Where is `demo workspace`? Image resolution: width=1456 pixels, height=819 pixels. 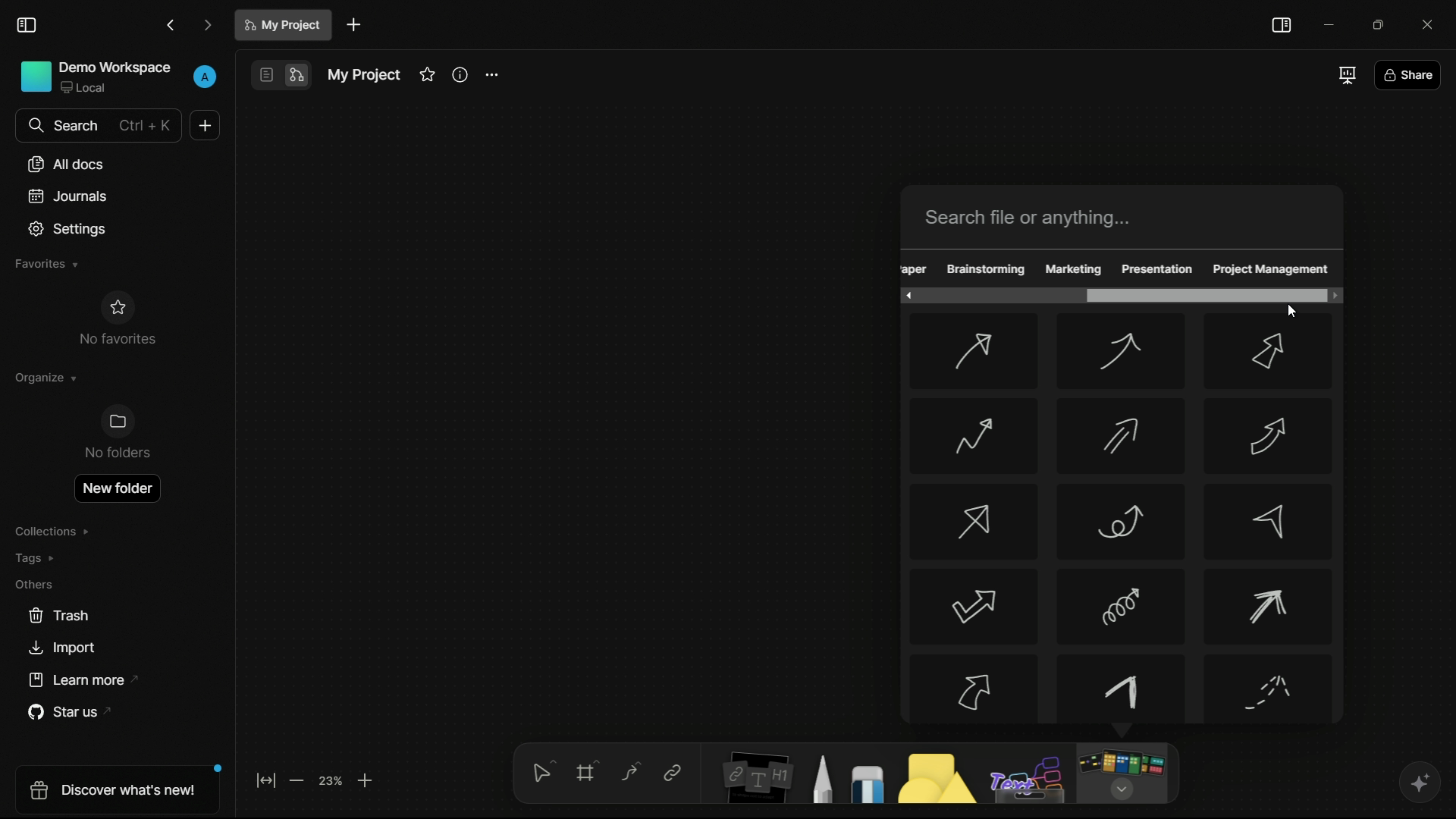 demo workspace is located at coordinates (96, 78).